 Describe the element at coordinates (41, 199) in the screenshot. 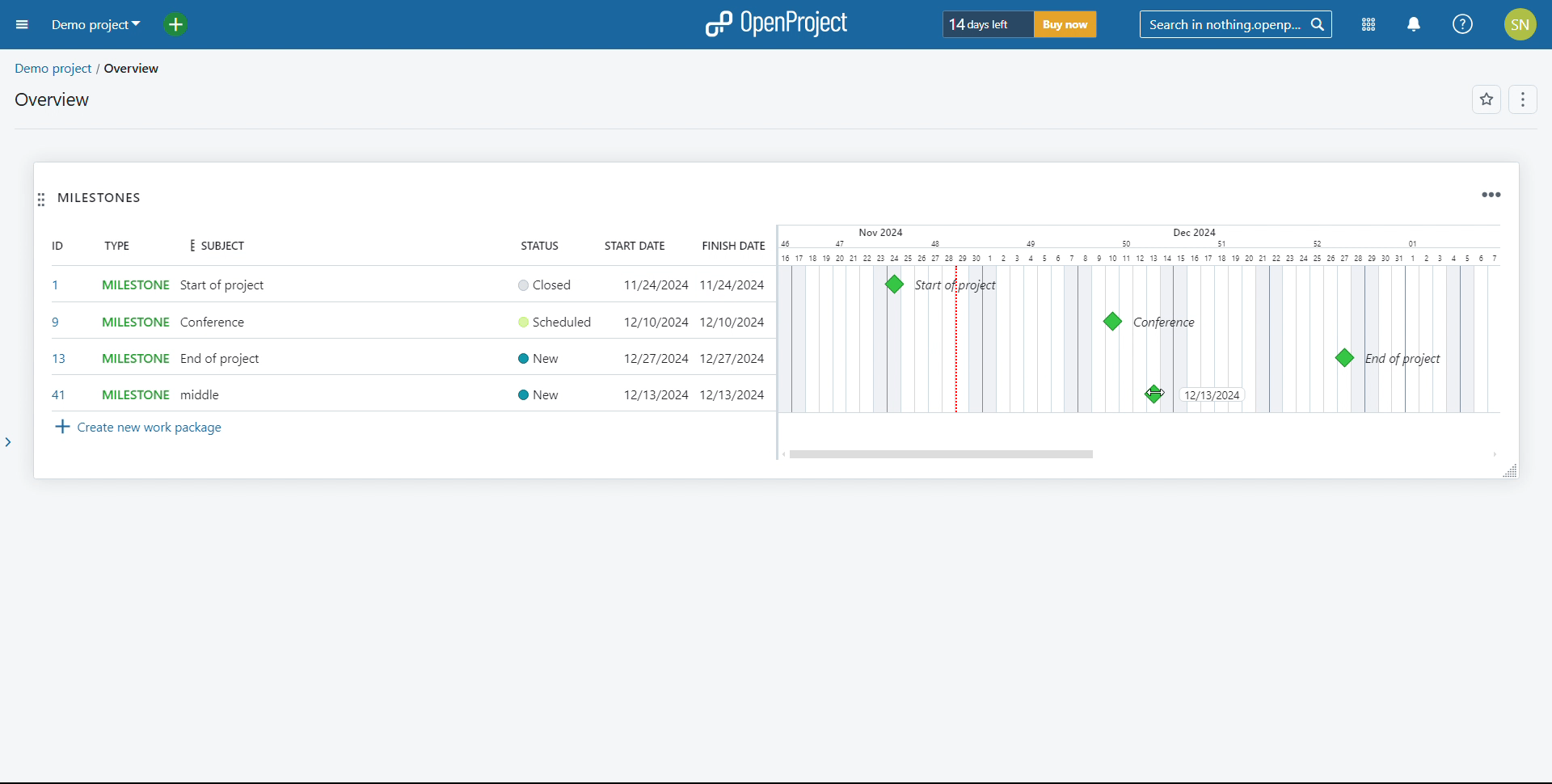

I see `move widget` at that location.